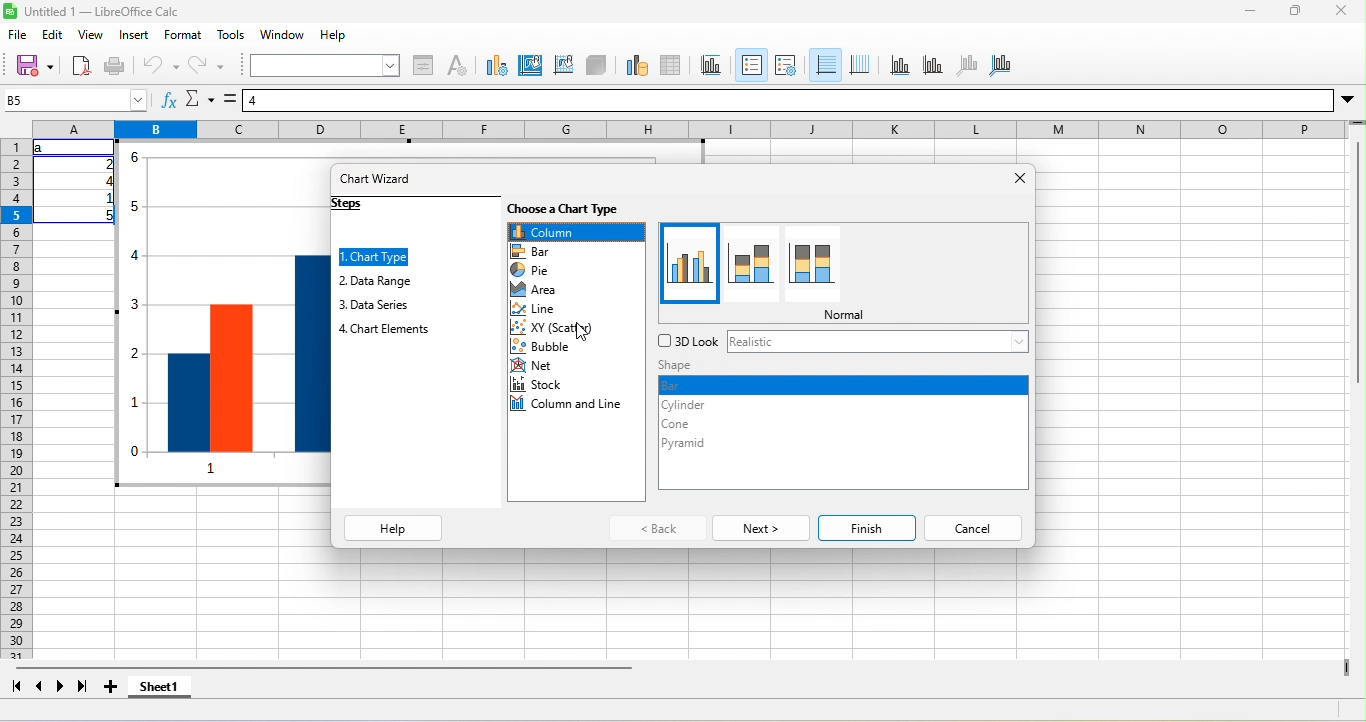 This screenshot has height=722, width=1366. Describe the element at coordinates (577, 269) in the screenshot. I see `pie` at that location.